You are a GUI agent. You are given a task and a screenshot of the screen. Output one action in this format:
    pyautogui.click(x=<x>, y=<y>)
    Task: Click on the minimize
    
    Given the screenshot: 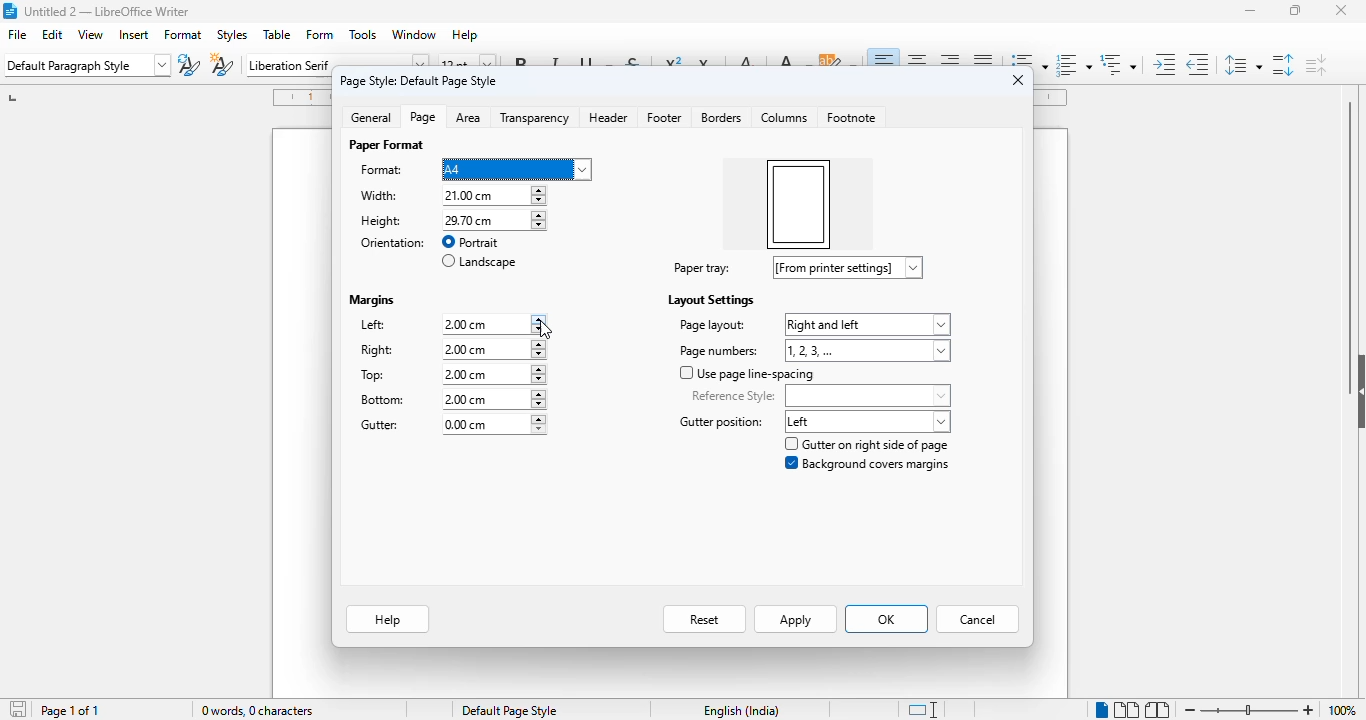 What is the action you would take?
    pyautogui.click(x=1251, y=11)
    